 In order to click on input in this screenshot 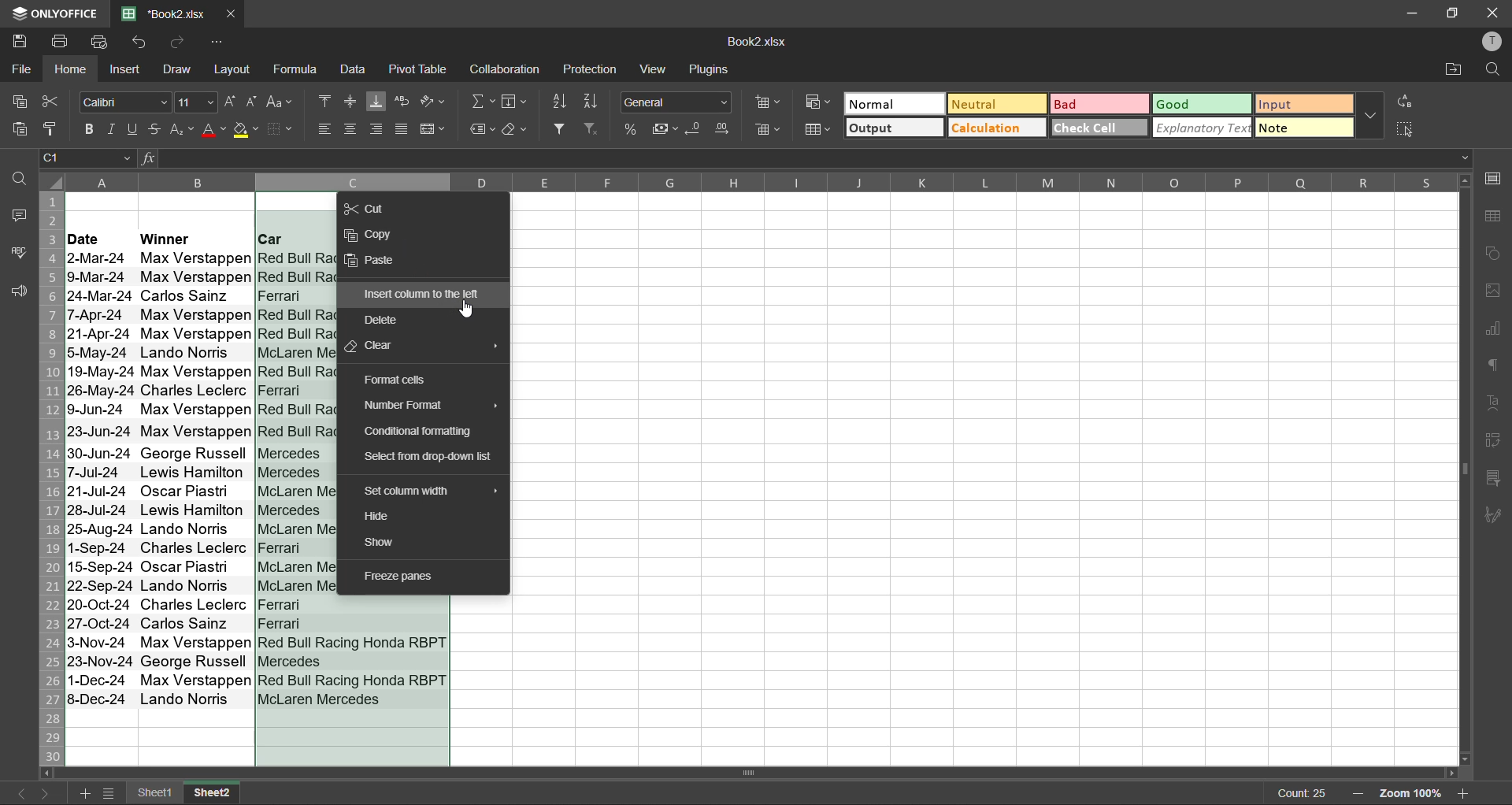, I will do `click(1301, 104)`.